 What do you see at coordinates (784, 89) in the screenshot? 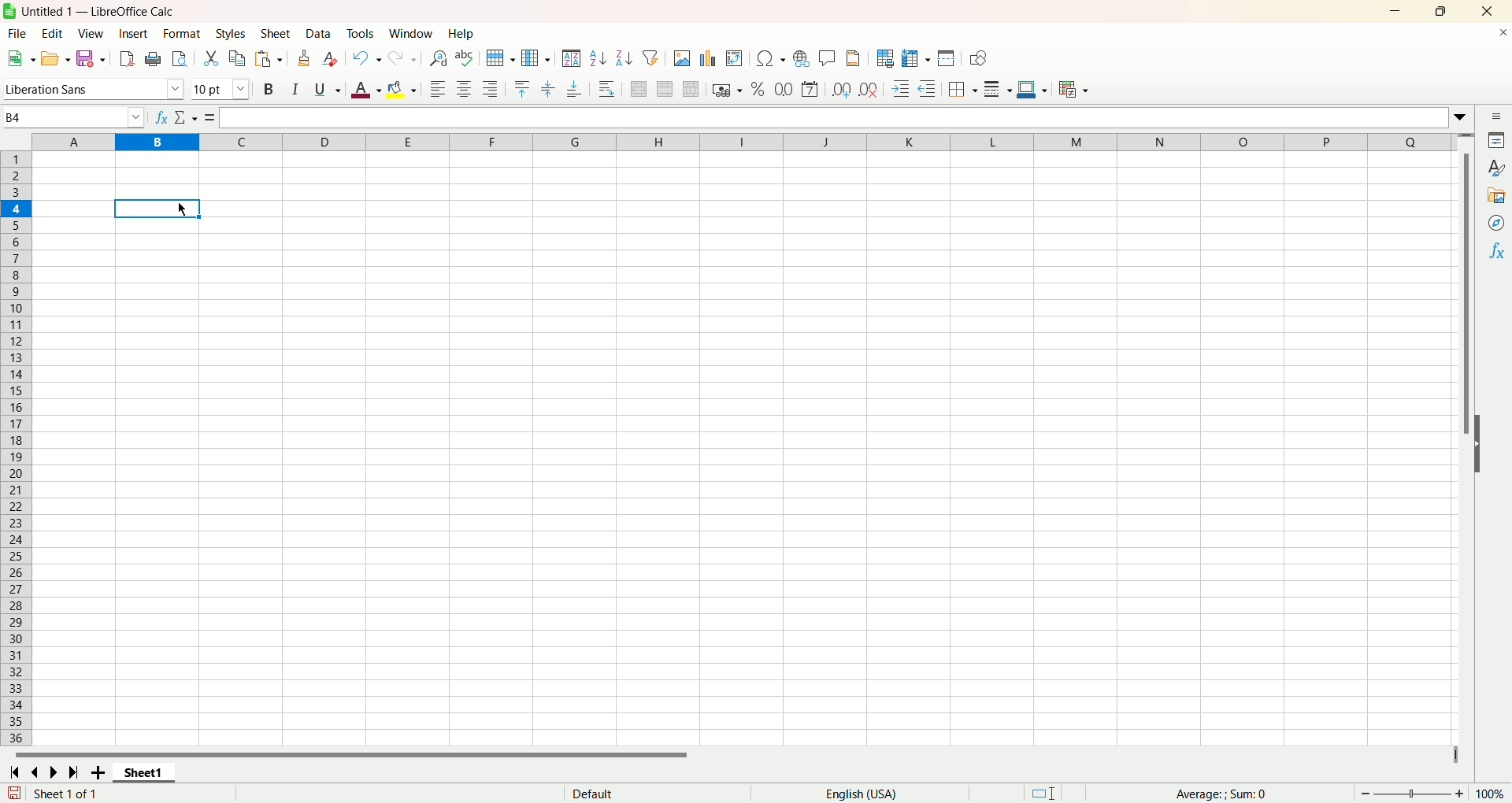
I see `format as number` at bounding box center [784, 89].